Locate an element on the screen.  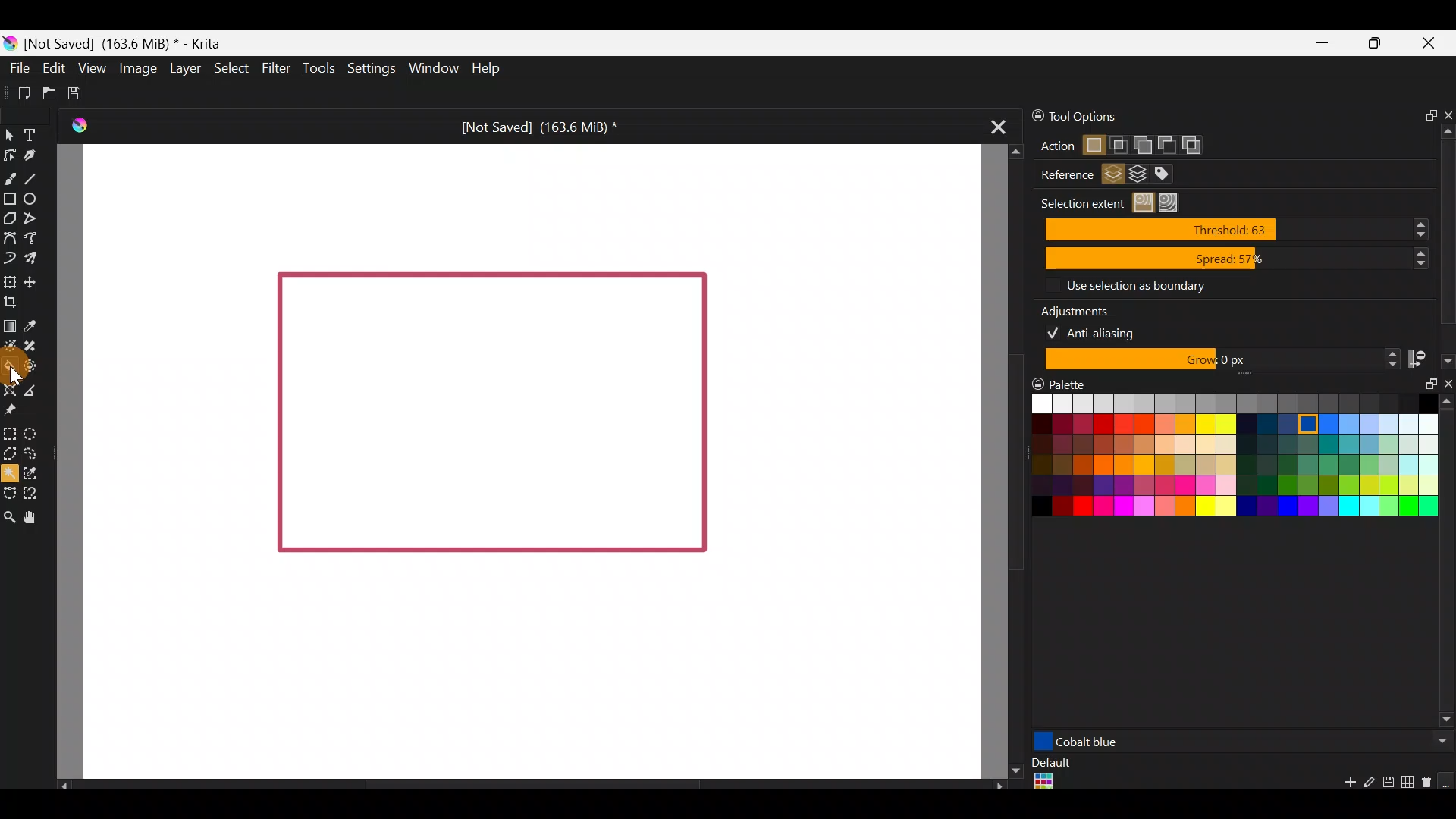
Fill a contiguous area of color with color/fill a selection is located at coordinates (10, 365).